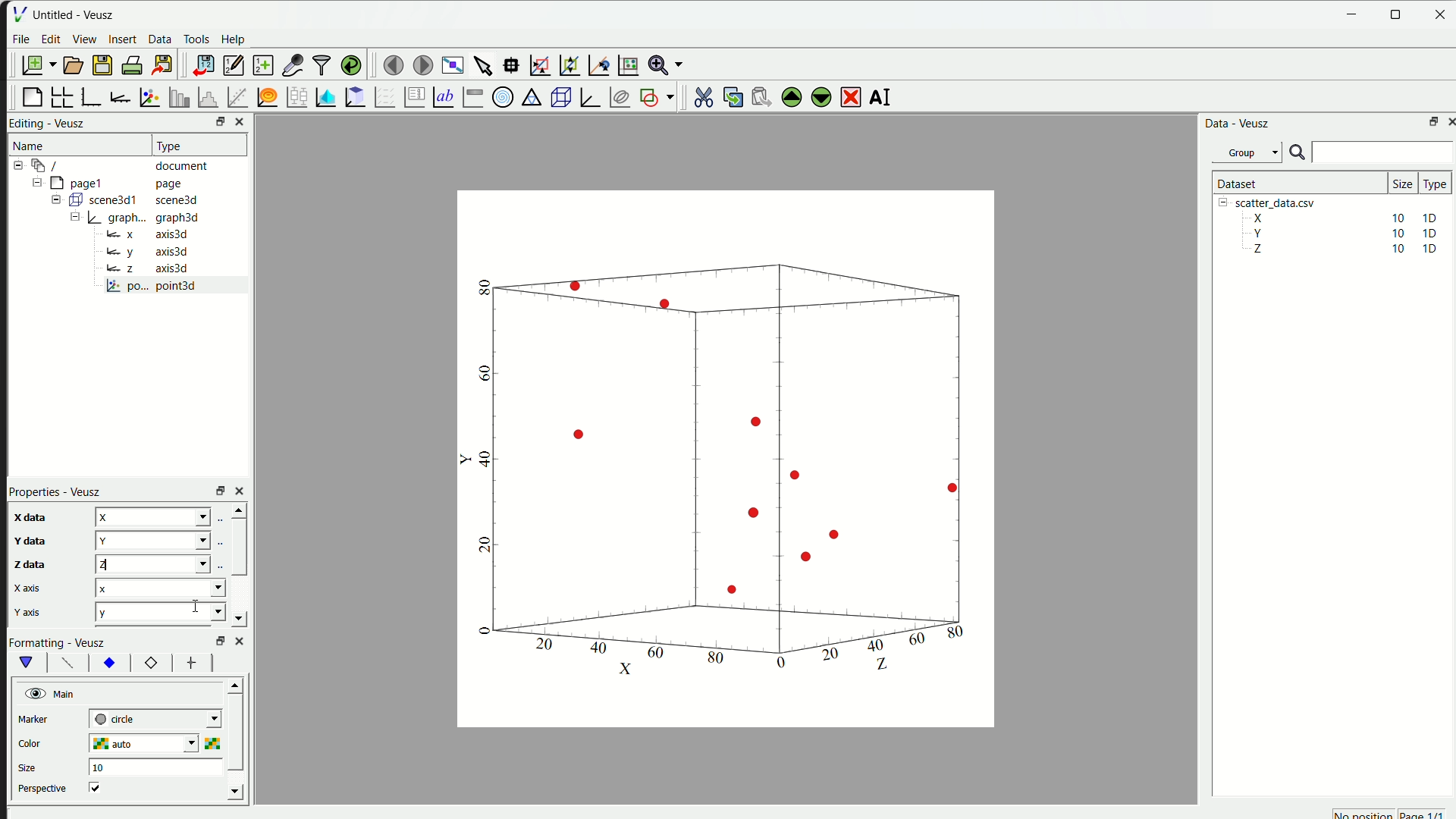 The image size is (1456, 819). I want to click on recenter graph axes, so click(595, 62).